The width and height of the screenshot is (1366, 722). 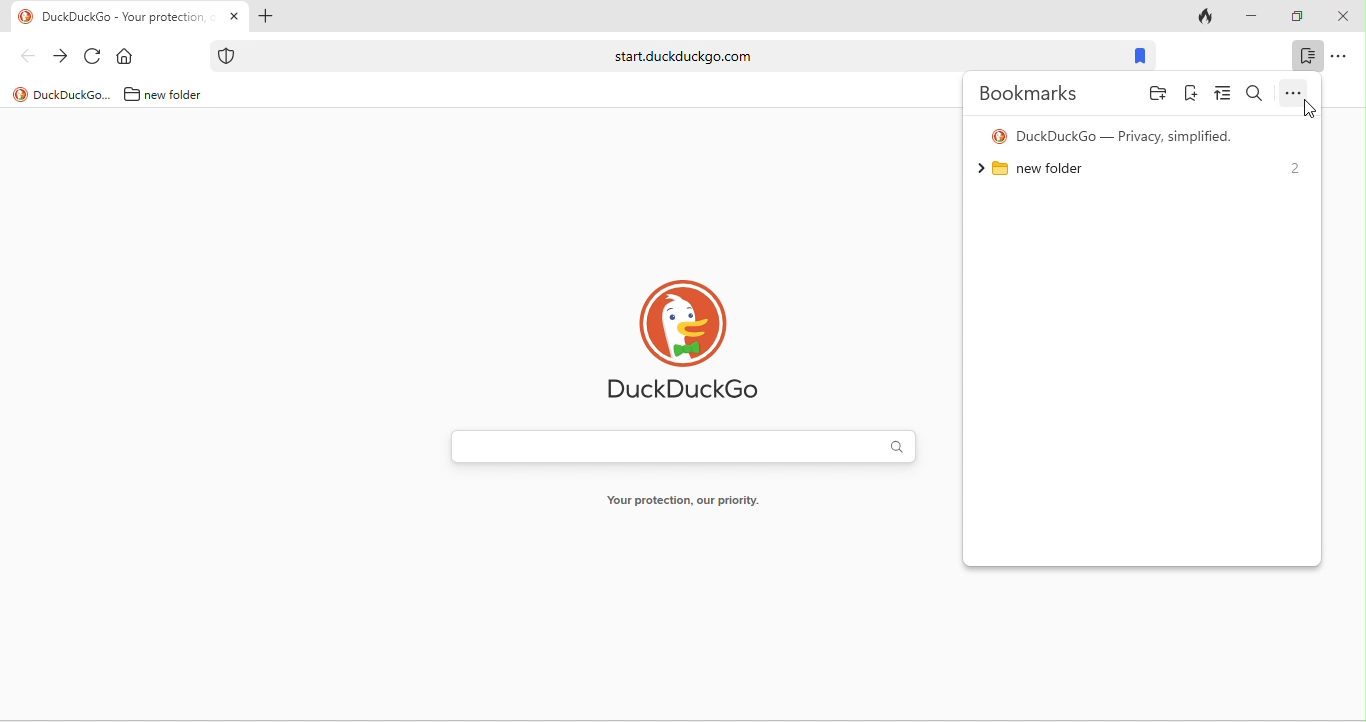 I want to click on add tab, so click(x=265, y=16).